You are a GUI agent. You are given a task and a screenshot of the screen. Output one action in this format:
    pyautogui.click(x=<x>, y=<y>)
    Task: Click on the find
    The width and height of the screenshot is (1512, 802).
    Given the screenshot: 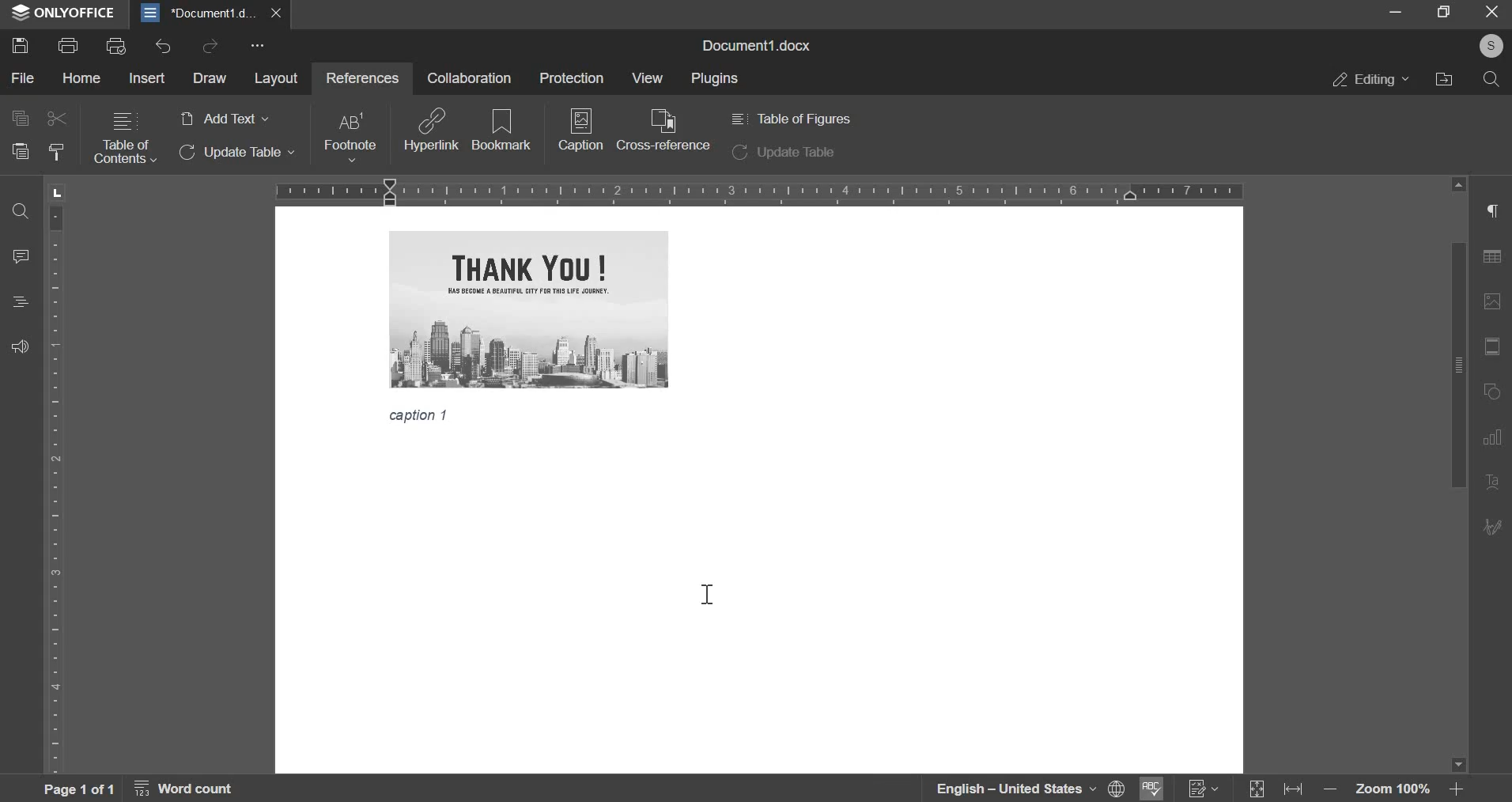 What is the action you would take?
    pyautogui.click(x=20, y=213)
    